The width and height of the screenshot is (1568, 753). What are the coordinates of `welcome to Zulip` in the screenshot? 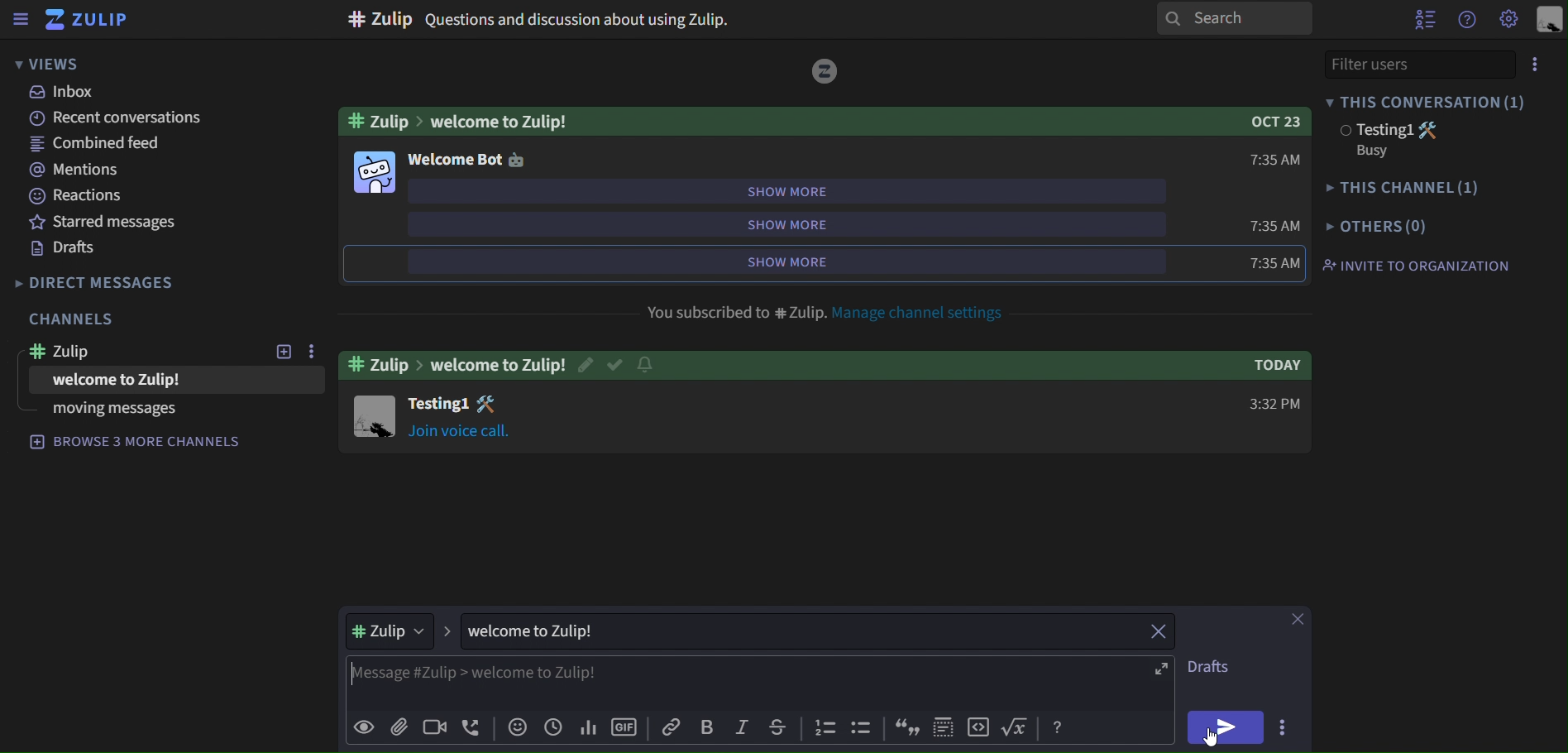 It's located at (541, 631).